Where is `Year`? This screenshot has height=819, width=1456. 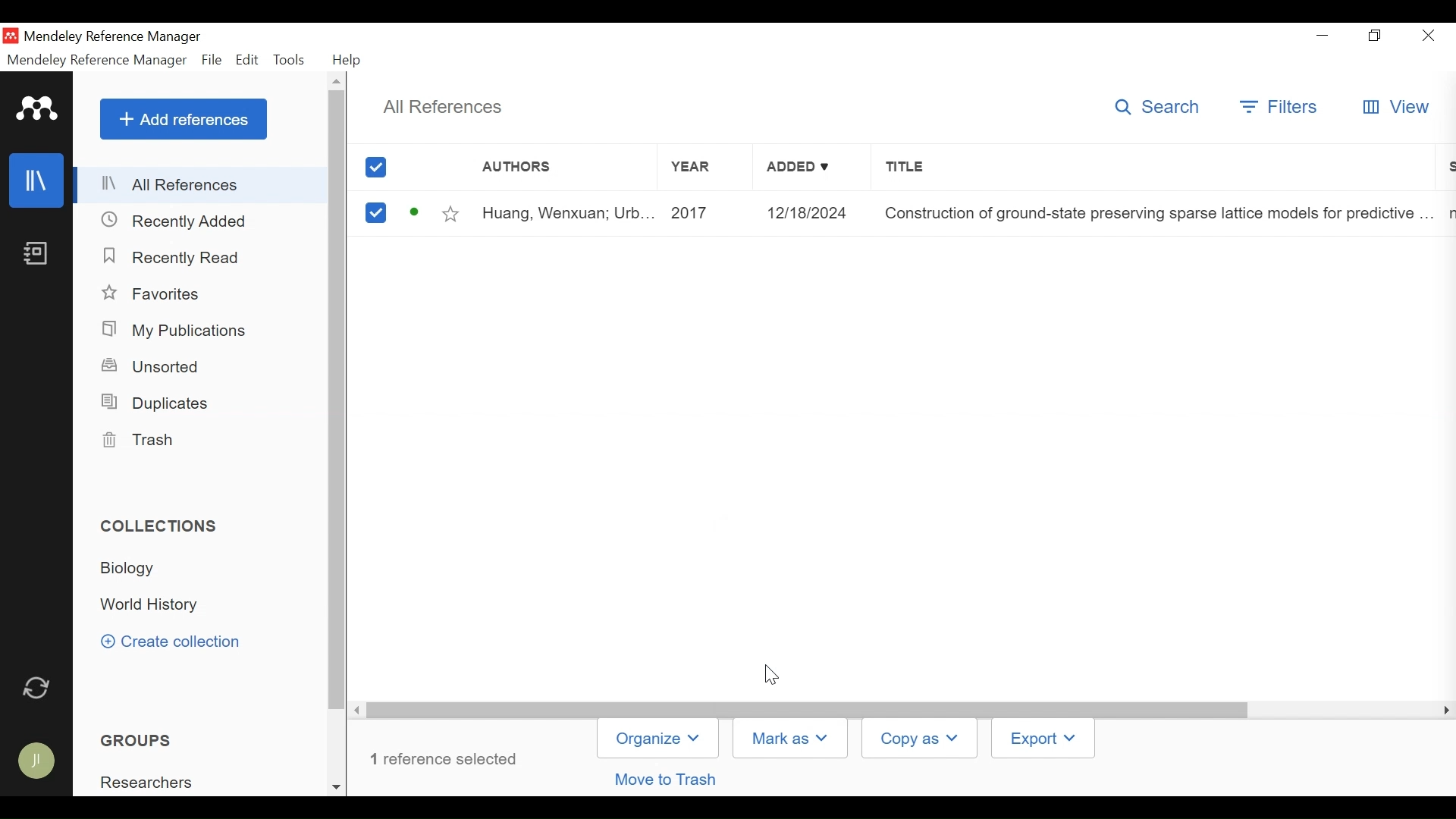 Year is located at coordinates (703, 169).